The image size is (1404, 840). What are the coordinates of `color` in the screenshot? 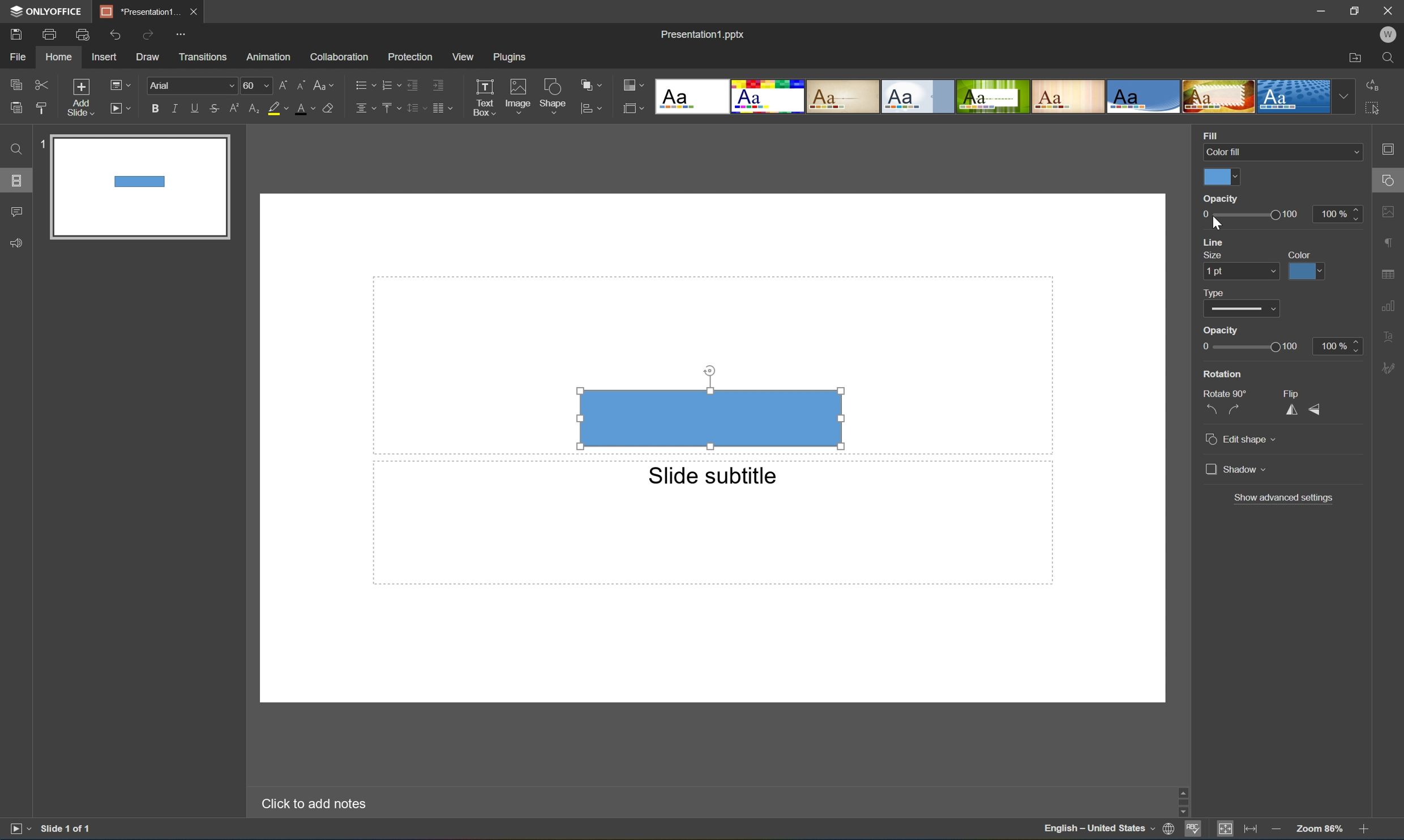 It's located at (1305, 272).